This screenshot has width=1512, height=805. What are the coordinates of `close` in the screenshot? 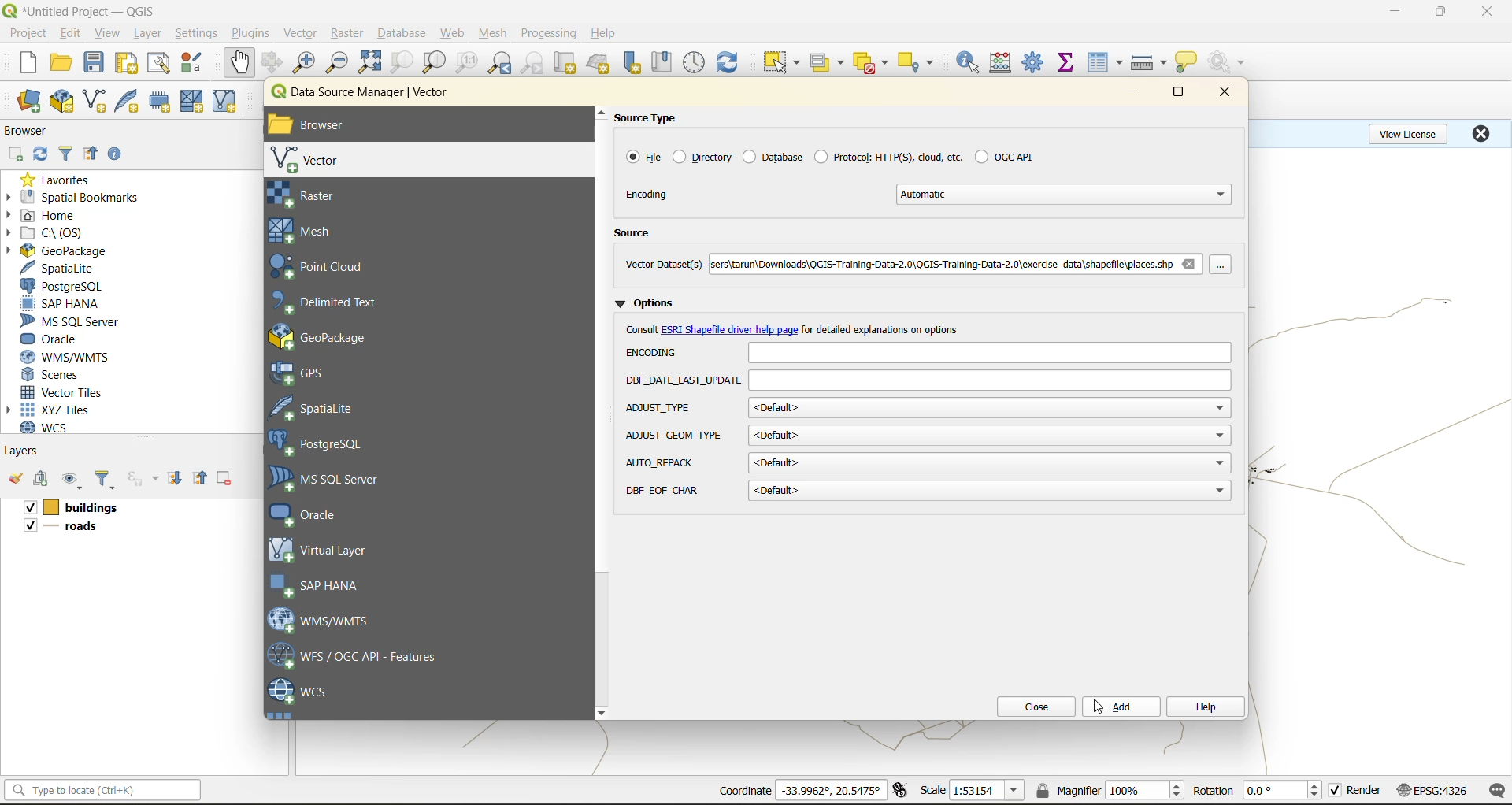 It's located at (1031, 707).